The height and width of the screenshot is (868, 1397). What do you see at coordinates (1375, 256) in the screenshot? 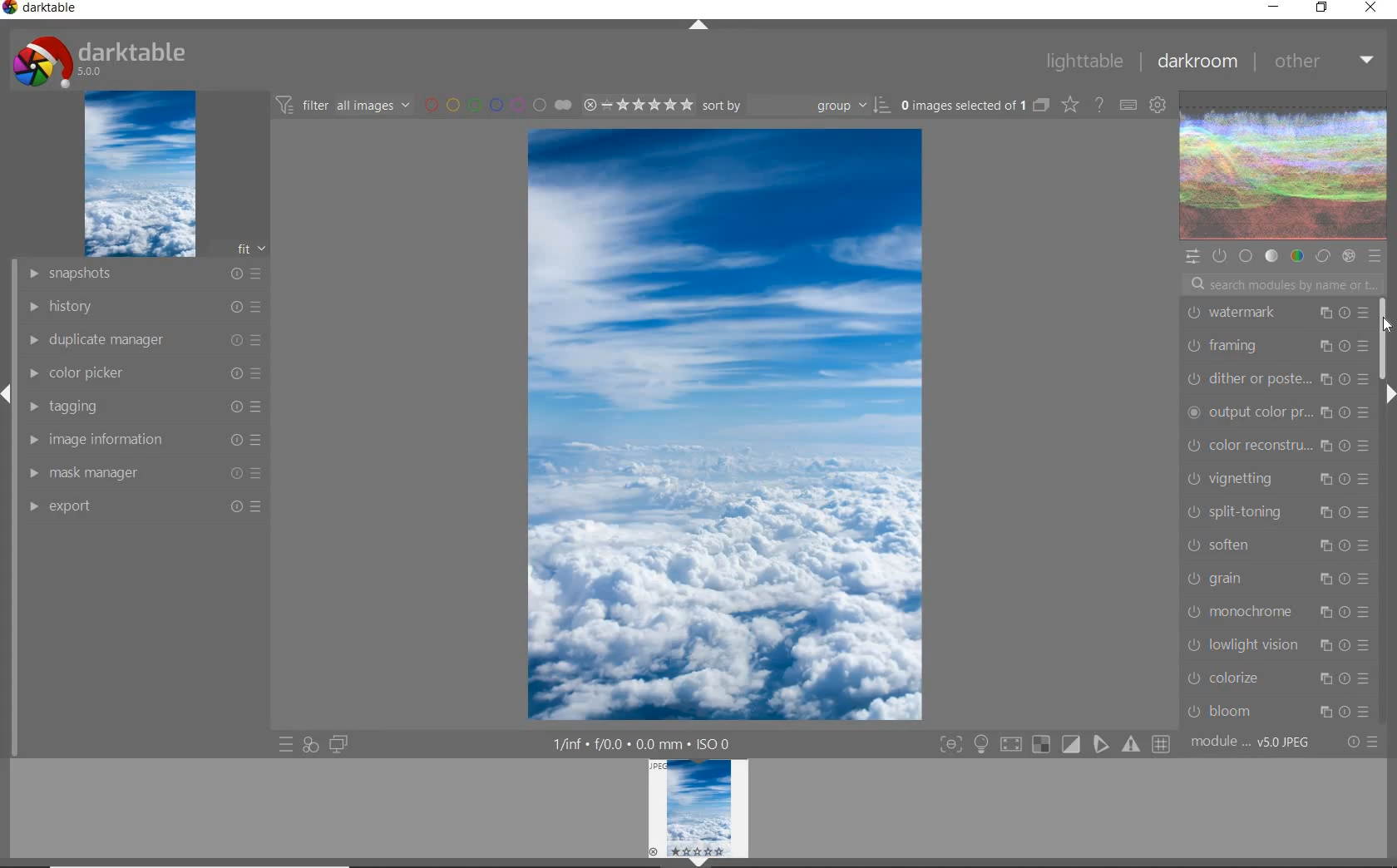
I see `PRESET` at bounding box center [1375, 256].